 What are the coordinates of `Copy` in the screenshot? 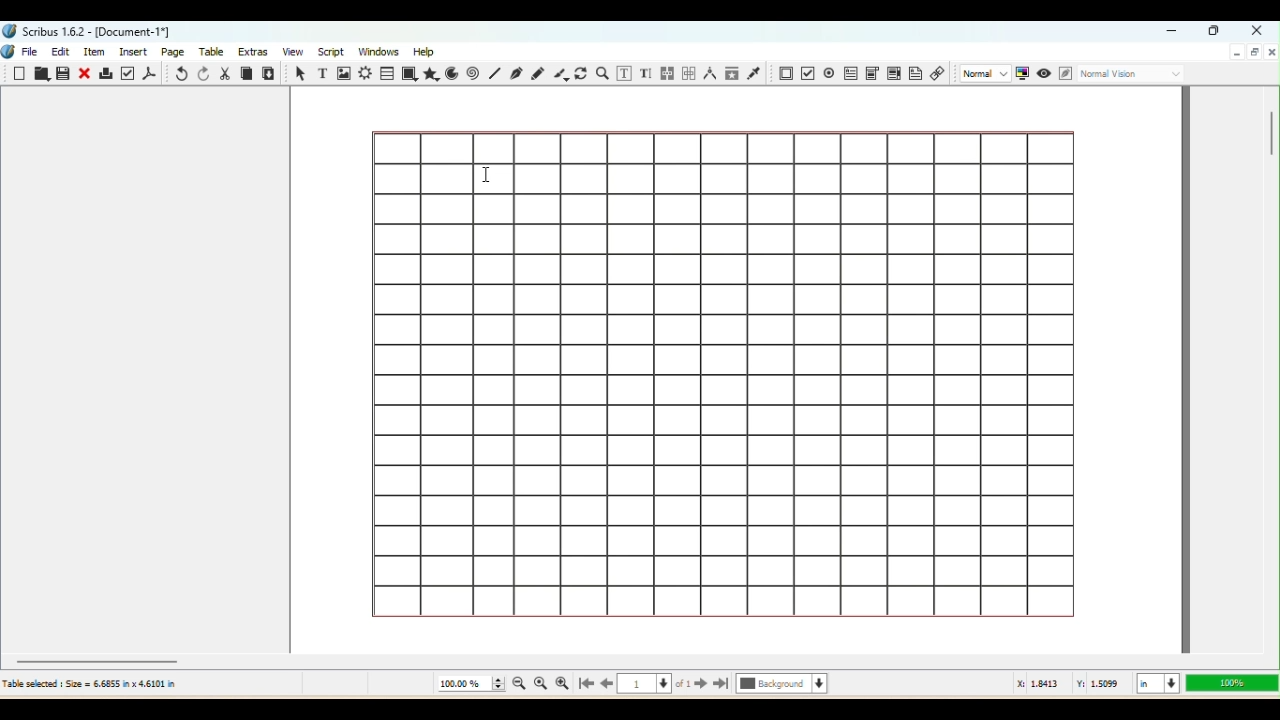 It's located at (246, 73).